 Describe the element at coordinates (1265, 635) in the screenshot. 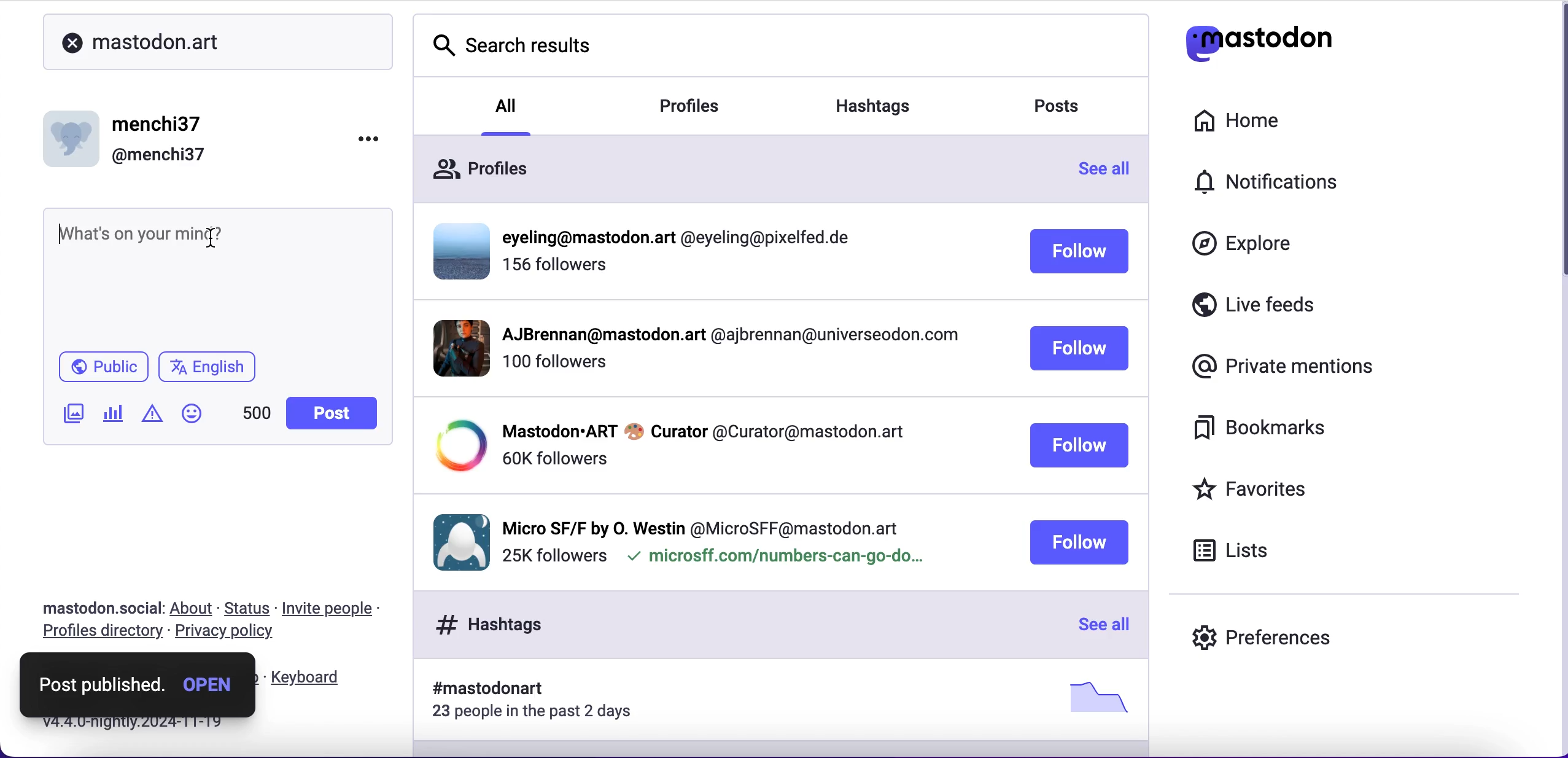

I see `preferences` at that location.